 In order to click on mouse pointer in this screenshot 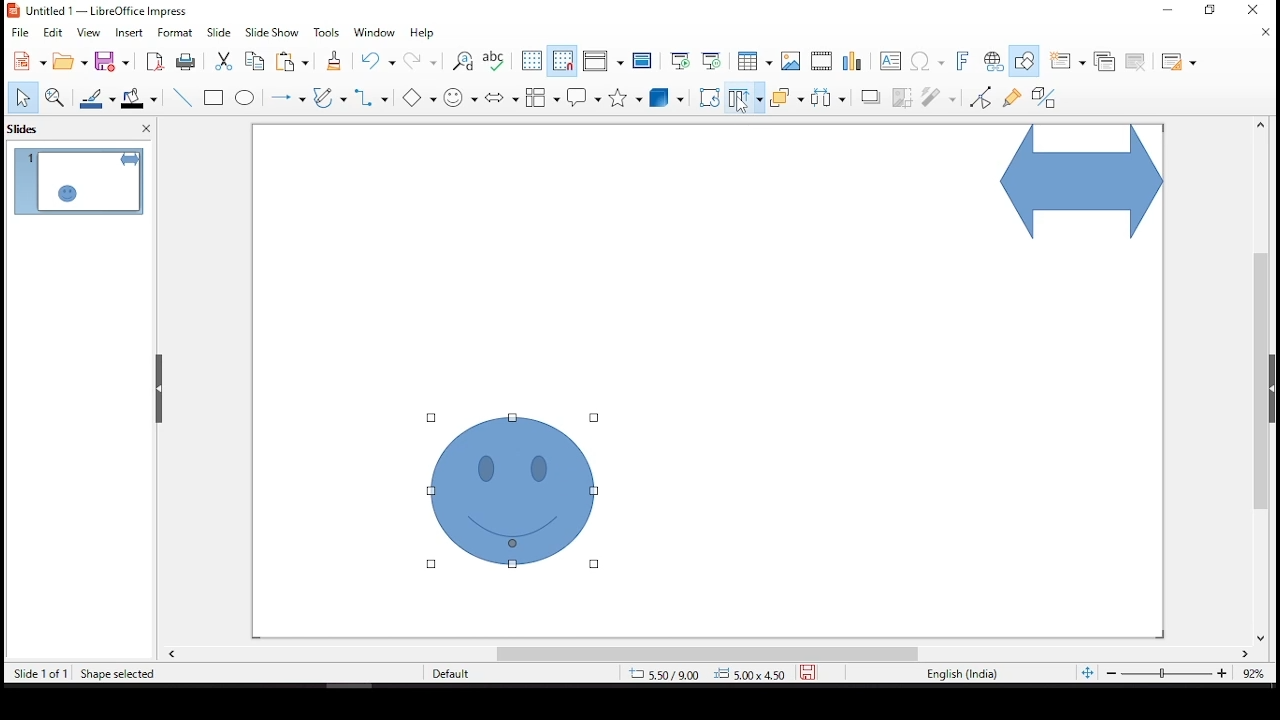, I will do `click(744, 108)`.